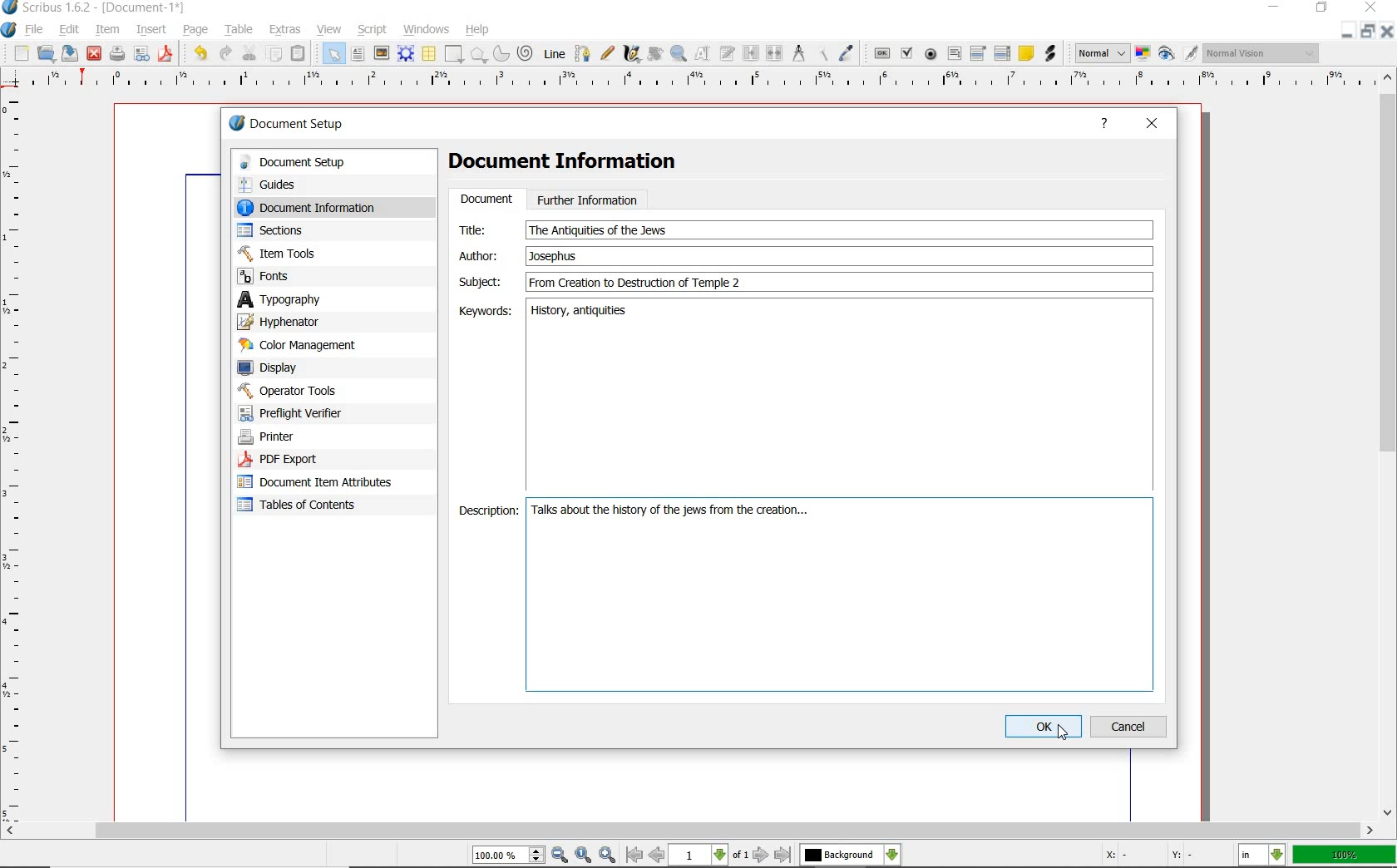 Image resolution: width=1397 pixels, height=868 pixels. I want to click on windows, so click(427, 30).